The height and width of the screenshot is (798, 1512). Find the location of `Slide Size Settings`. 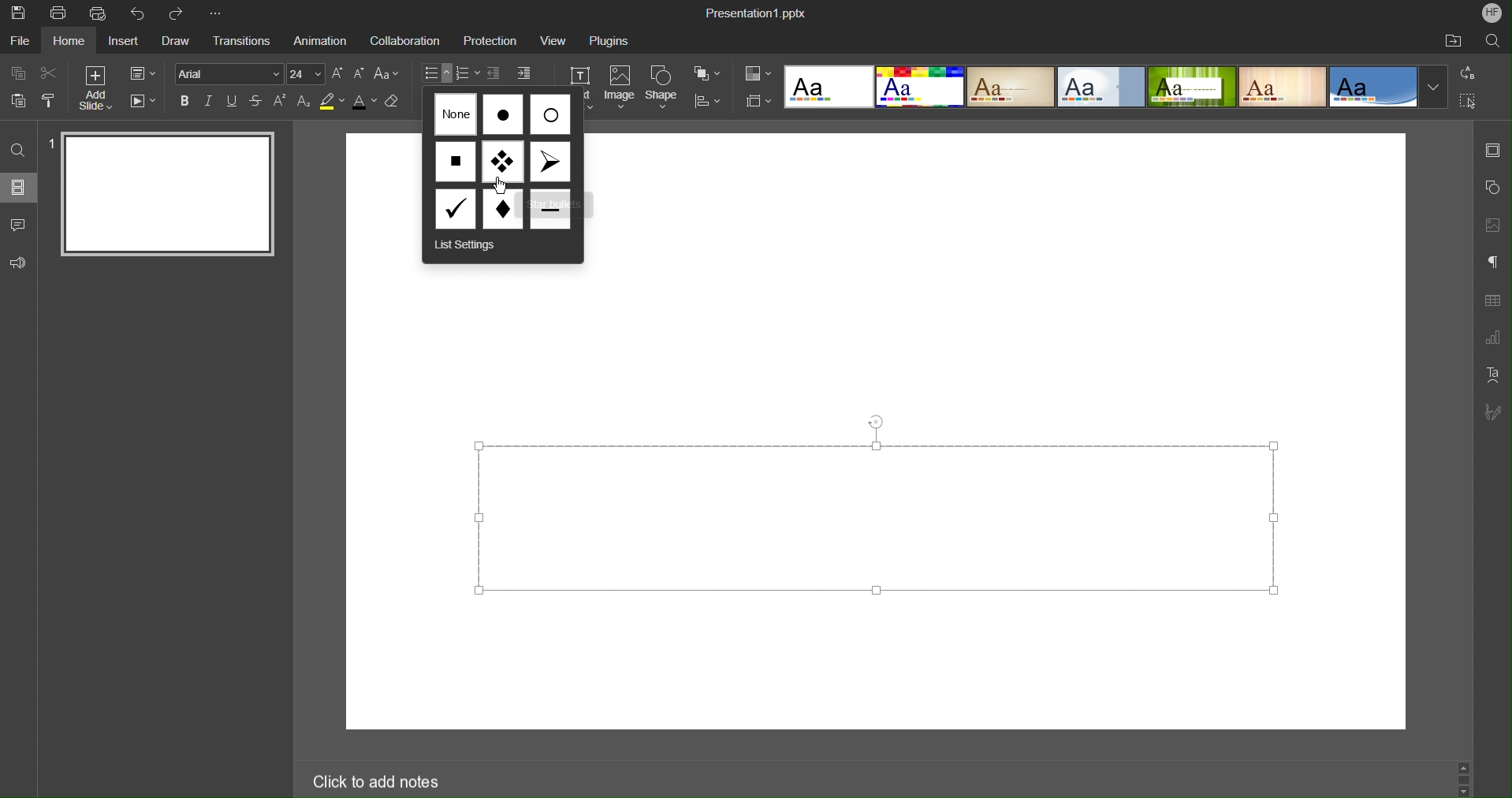

Slide Size Settings is located at coordinates (758, 100).